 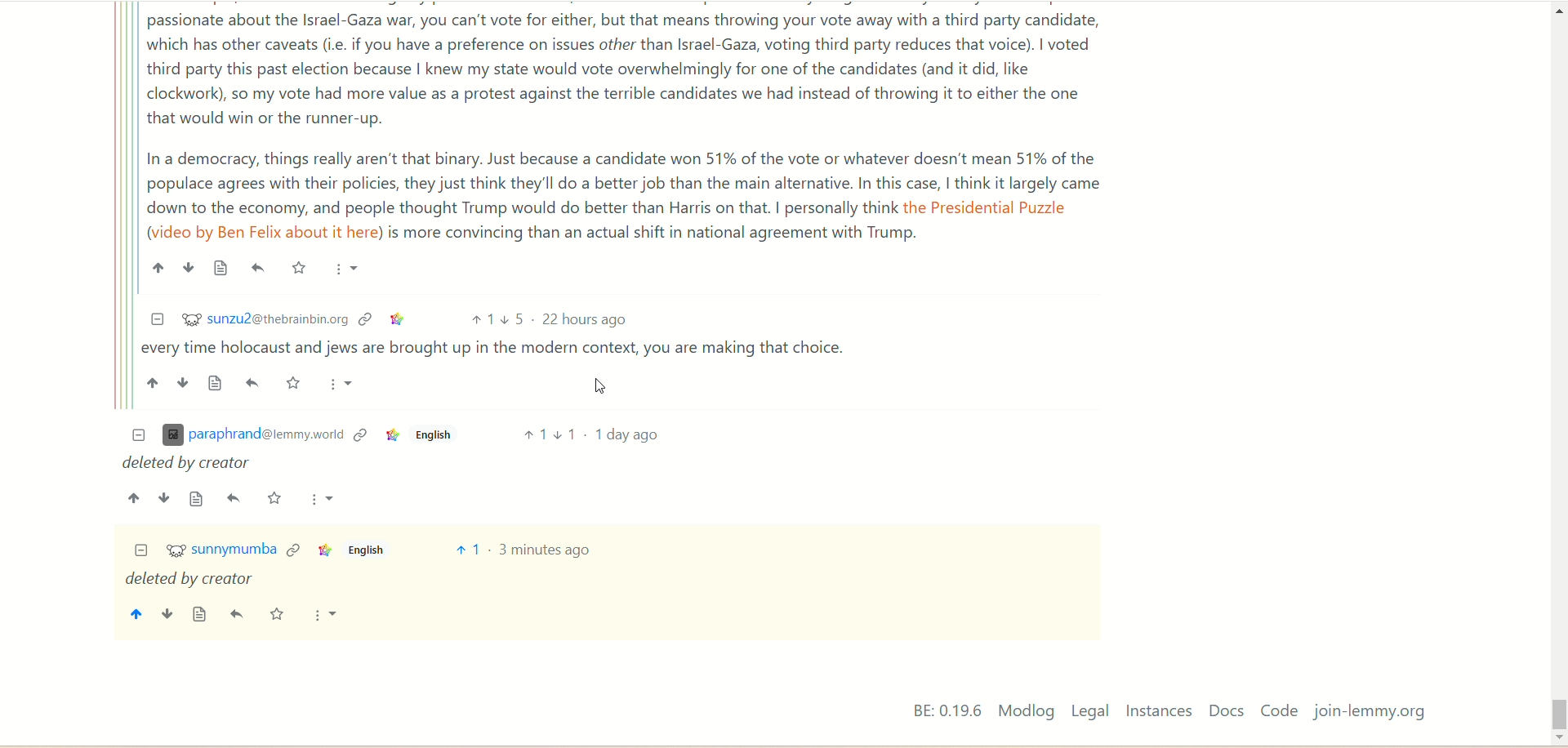 What do you see at coordinates (1228, 710) in the screenshot?
I see `Docs` at bounding box center [1228, 710].